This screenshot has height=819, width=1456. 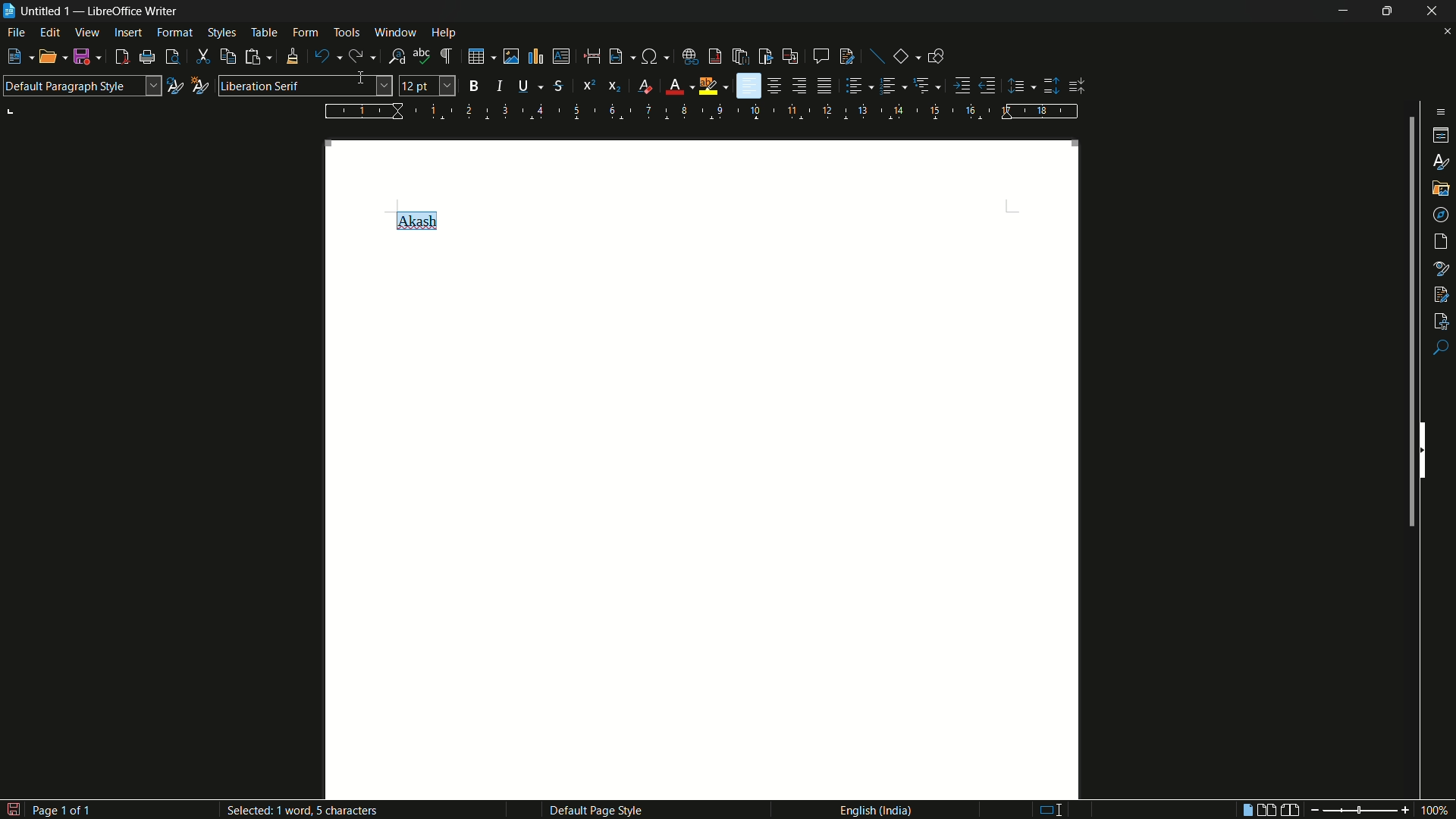 What do you see at coordinates (86, 58) in the screenshot?
I see `save file` at bounding box center [86, 58].